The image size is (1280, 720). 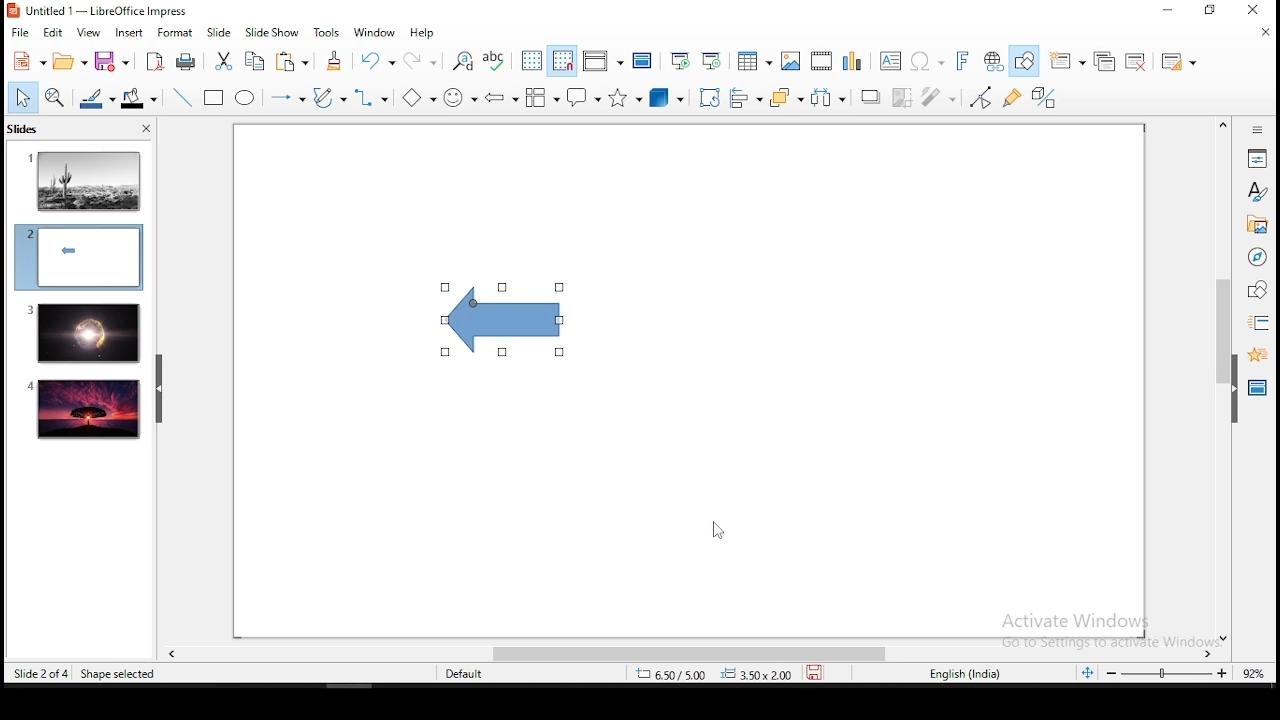 What do you see at coordinates (95, 99) in the screenshot?
I see `line fill` at bounding box center [95, 99].